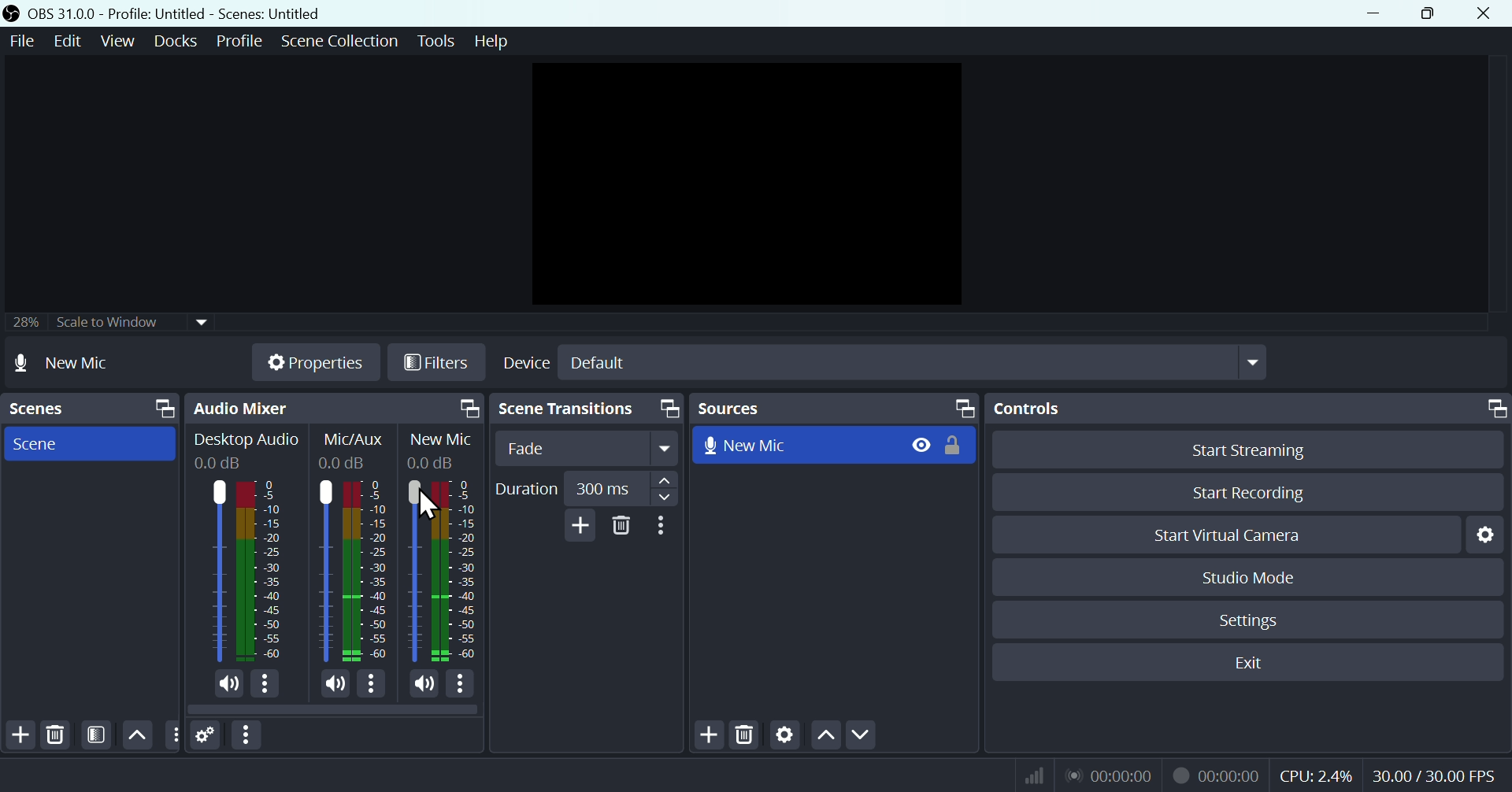 The image size is (1512, 792). I want to click on OBS Studio Desktop Icon, so click(12, 13).